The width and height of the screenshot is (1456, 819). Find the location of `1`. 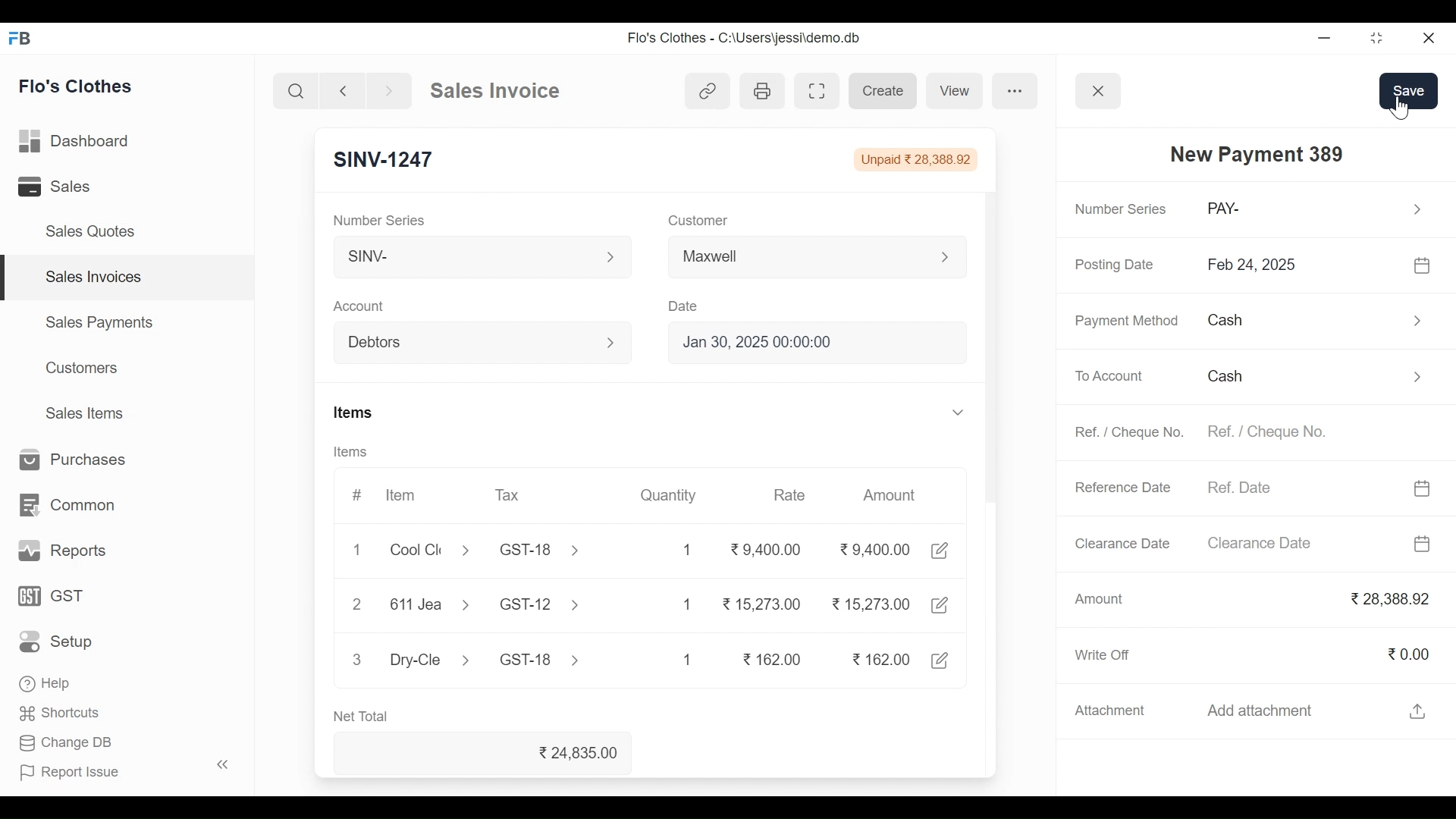

1 is located at coordinates (690, 548).